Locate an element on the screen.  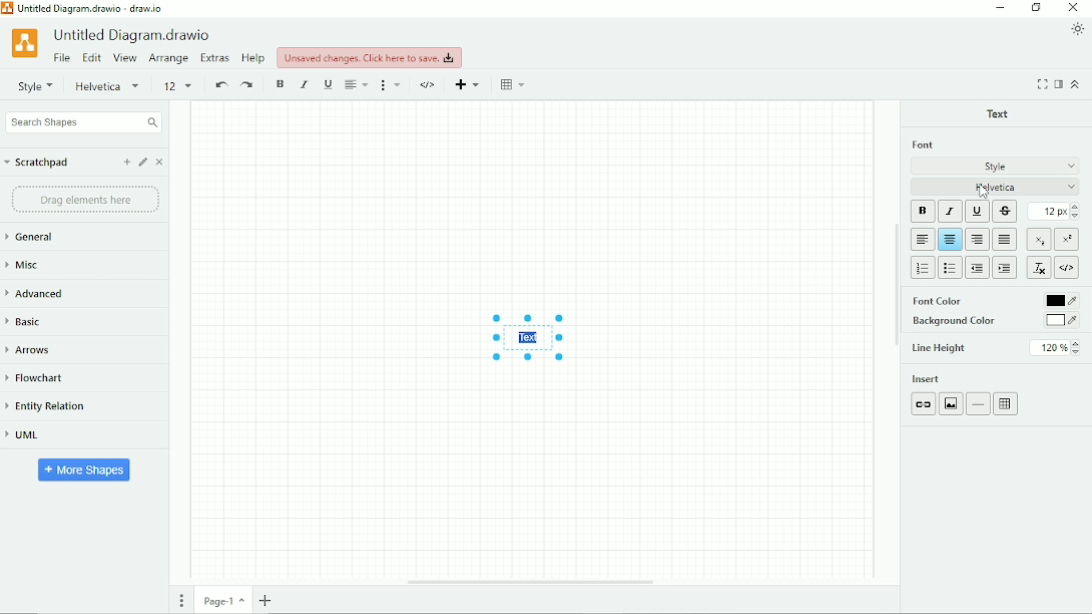
Text is located at coordinates (998, 113).